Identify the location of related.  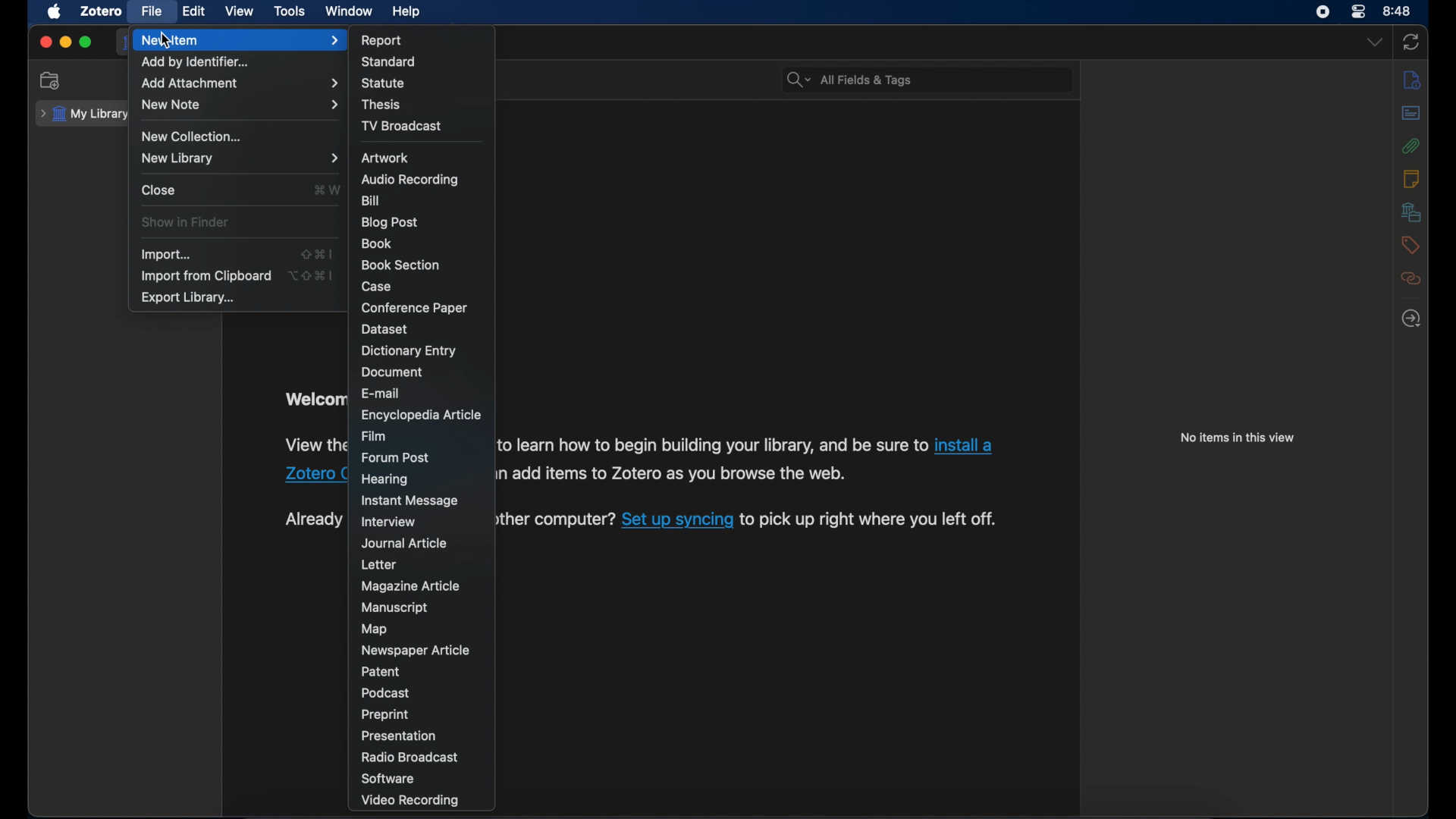
(1411, 279).